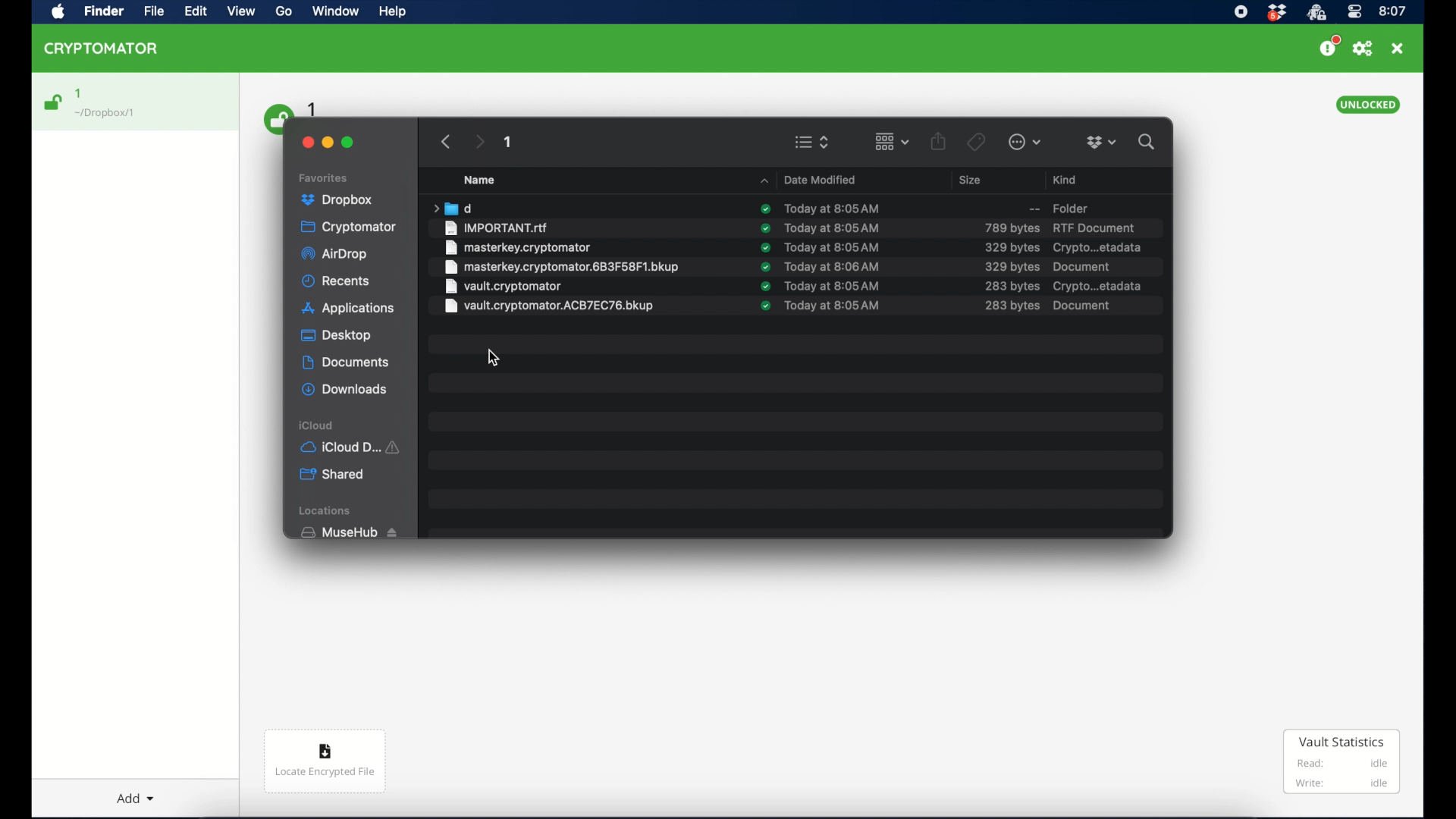 The image size is (1456, 819). Describe the element at coordinates (336, 256) in the screenshot. I see `airdrop` at that location.